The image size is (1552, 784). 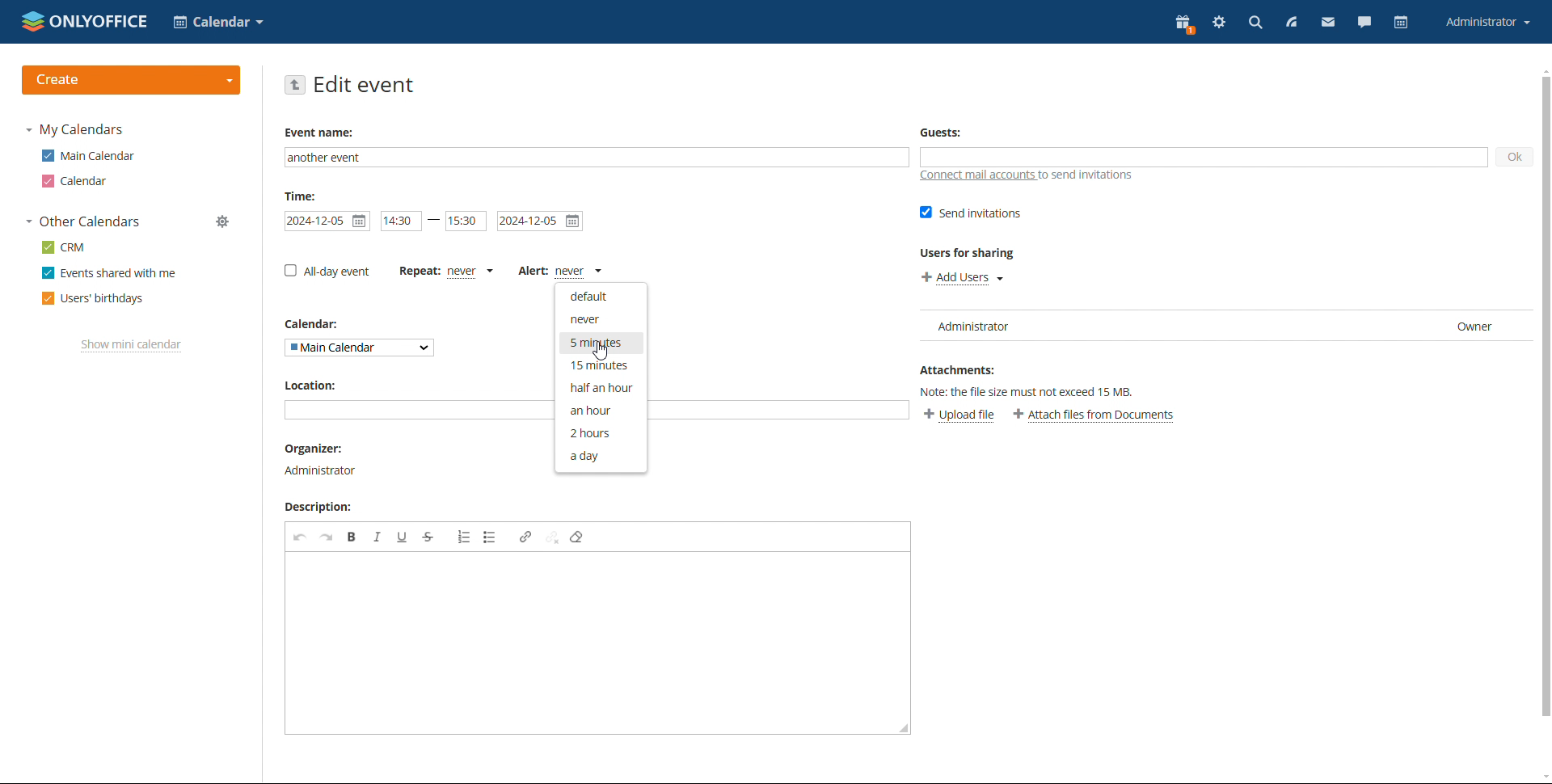 What do you see at coordinates (603, 352) in the screenshot?
I see `cursor` at bounding box center [603, 352].